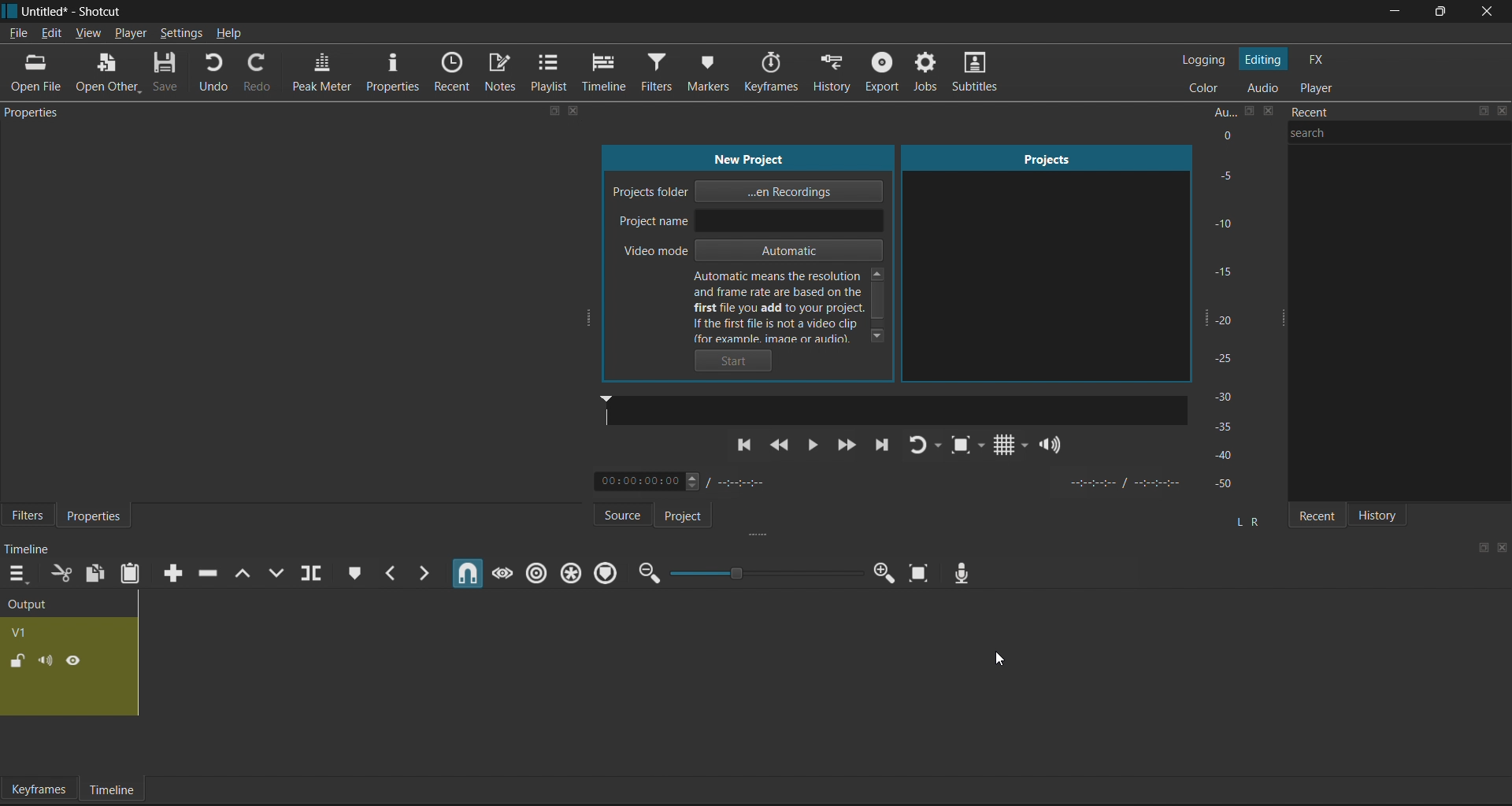  What do you see at coordinates (320, 74) in the screenshot?
I see `Peak Meter` at bounding box center [320, 74].